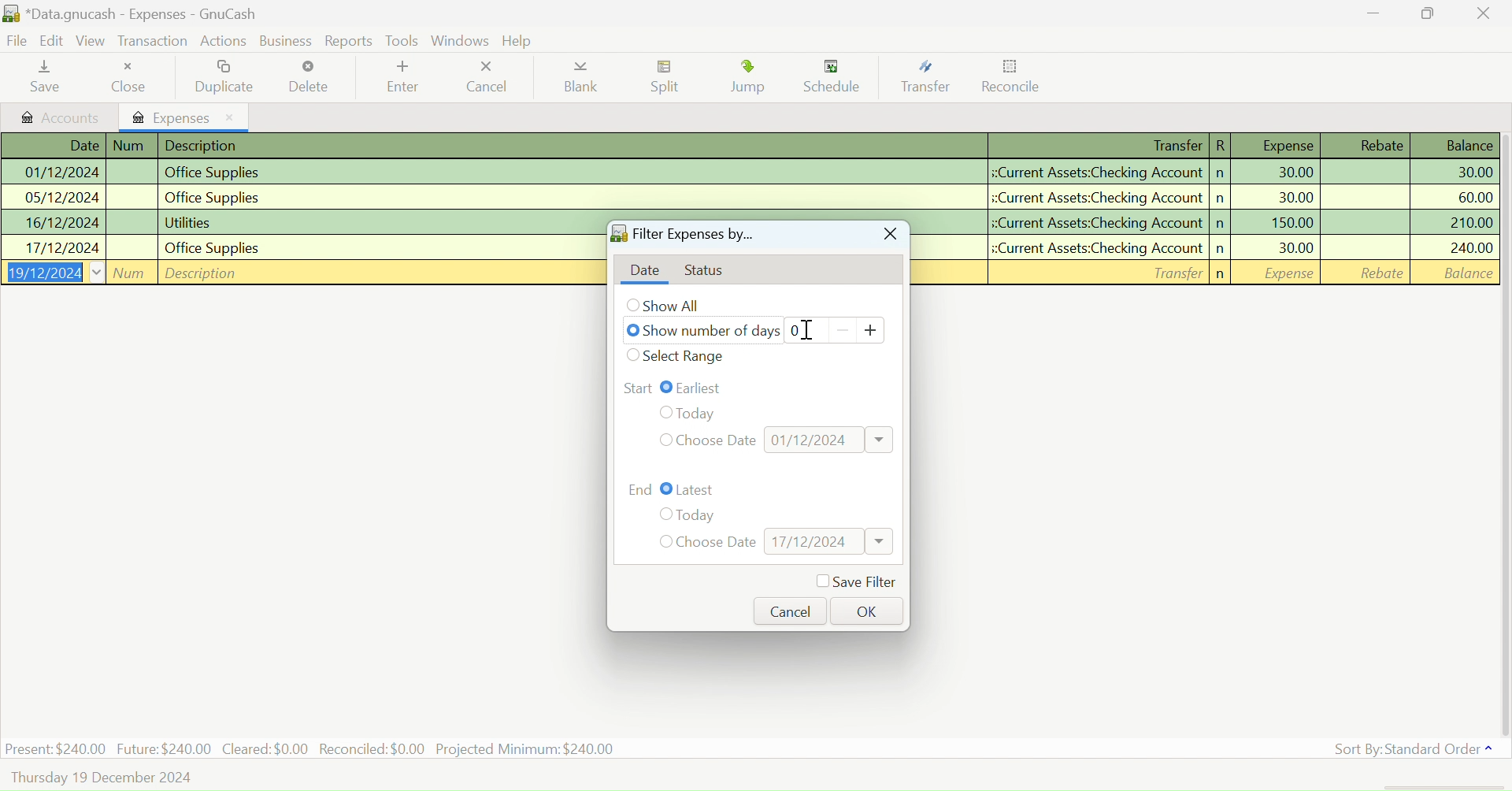 The height and width of the screenshot is (791, 1512). What do you see at coordinates (91, 43) in the screenshot?
I see `View` at bounding box center [91, 43].